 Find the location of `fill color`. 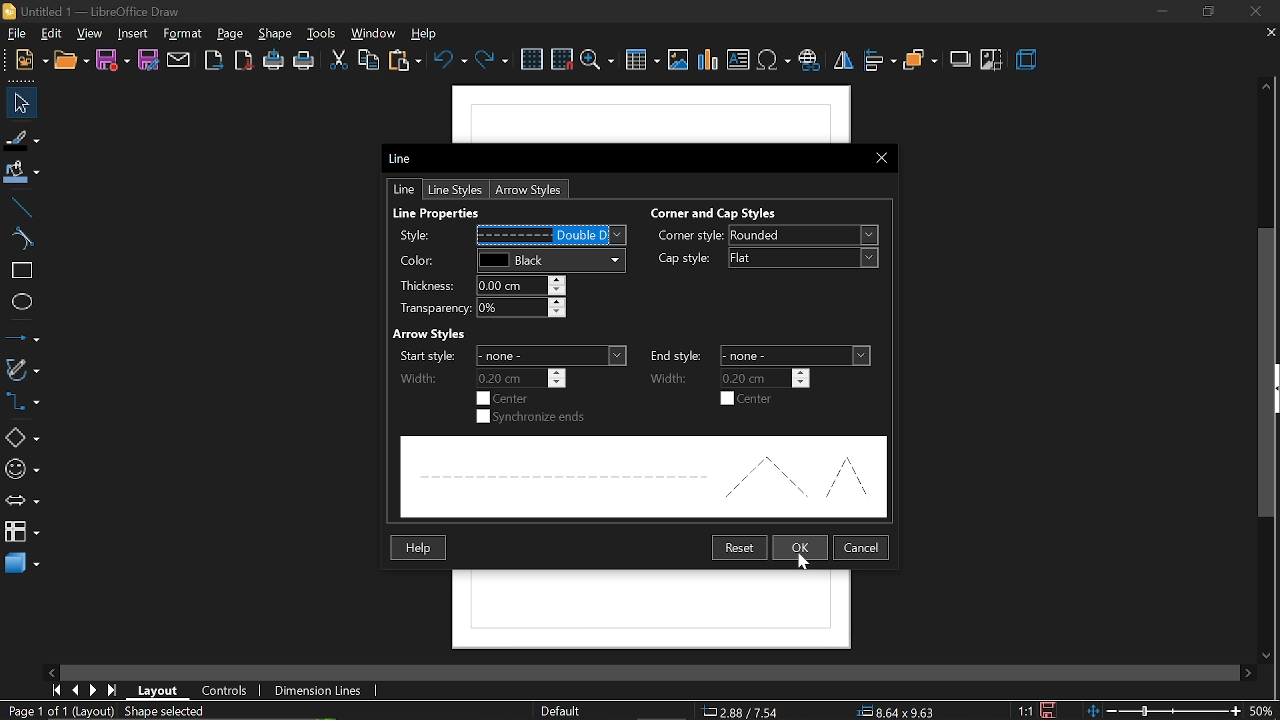

fill color is located at coordinates (22, 170).